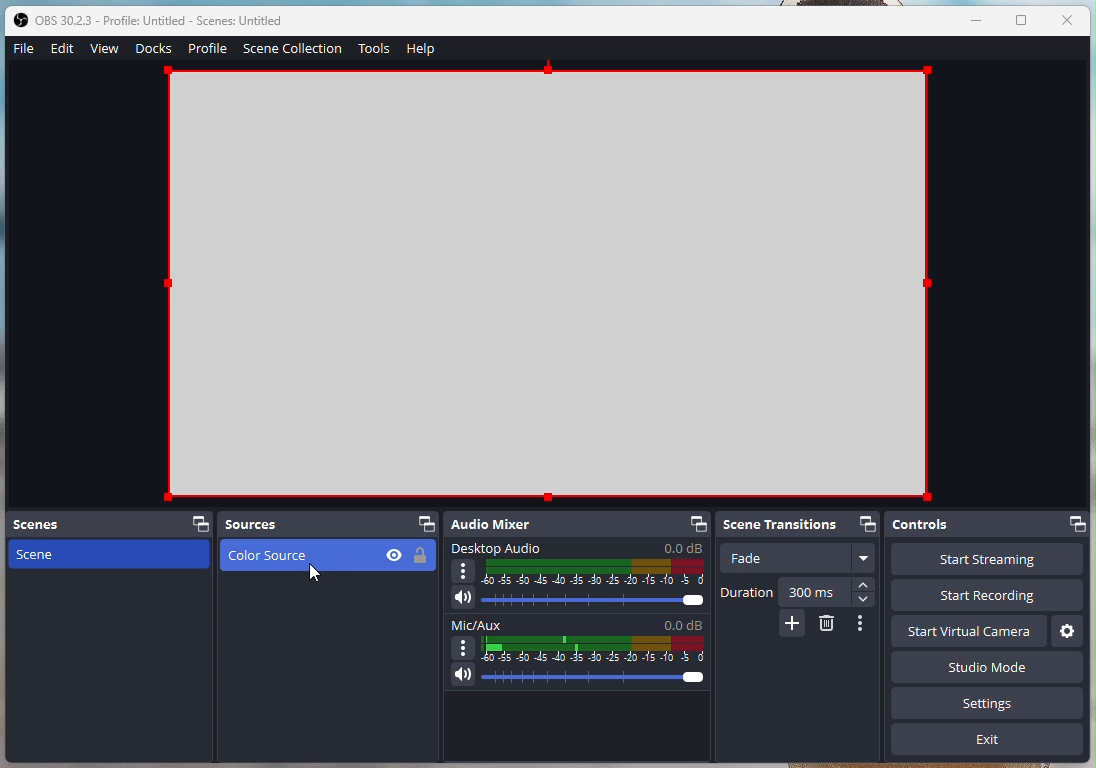 The height and width of the screenshot is (768, 1096). What do you see at coordinates (328, 524) in the screenshot?
I see `Sources` at bounding box center [328, 524].